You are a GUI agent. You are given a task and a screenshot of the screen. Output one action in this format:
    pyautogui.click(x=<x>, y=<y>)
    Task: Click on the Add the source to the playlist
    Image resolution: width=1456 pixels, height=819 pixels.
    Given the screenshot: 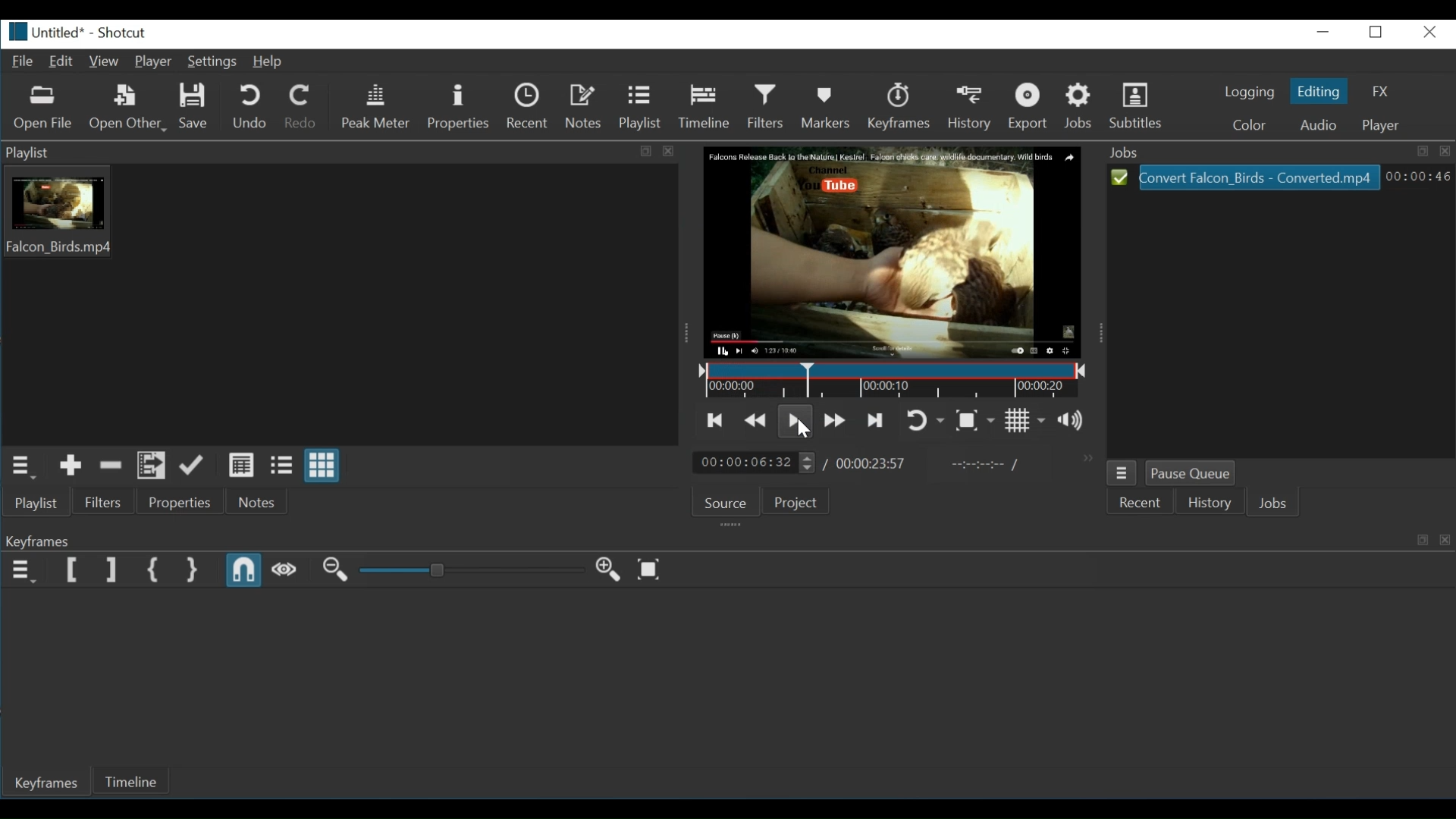 What is the action you would take?
    pyautogui.click(x=70, y=466)
    